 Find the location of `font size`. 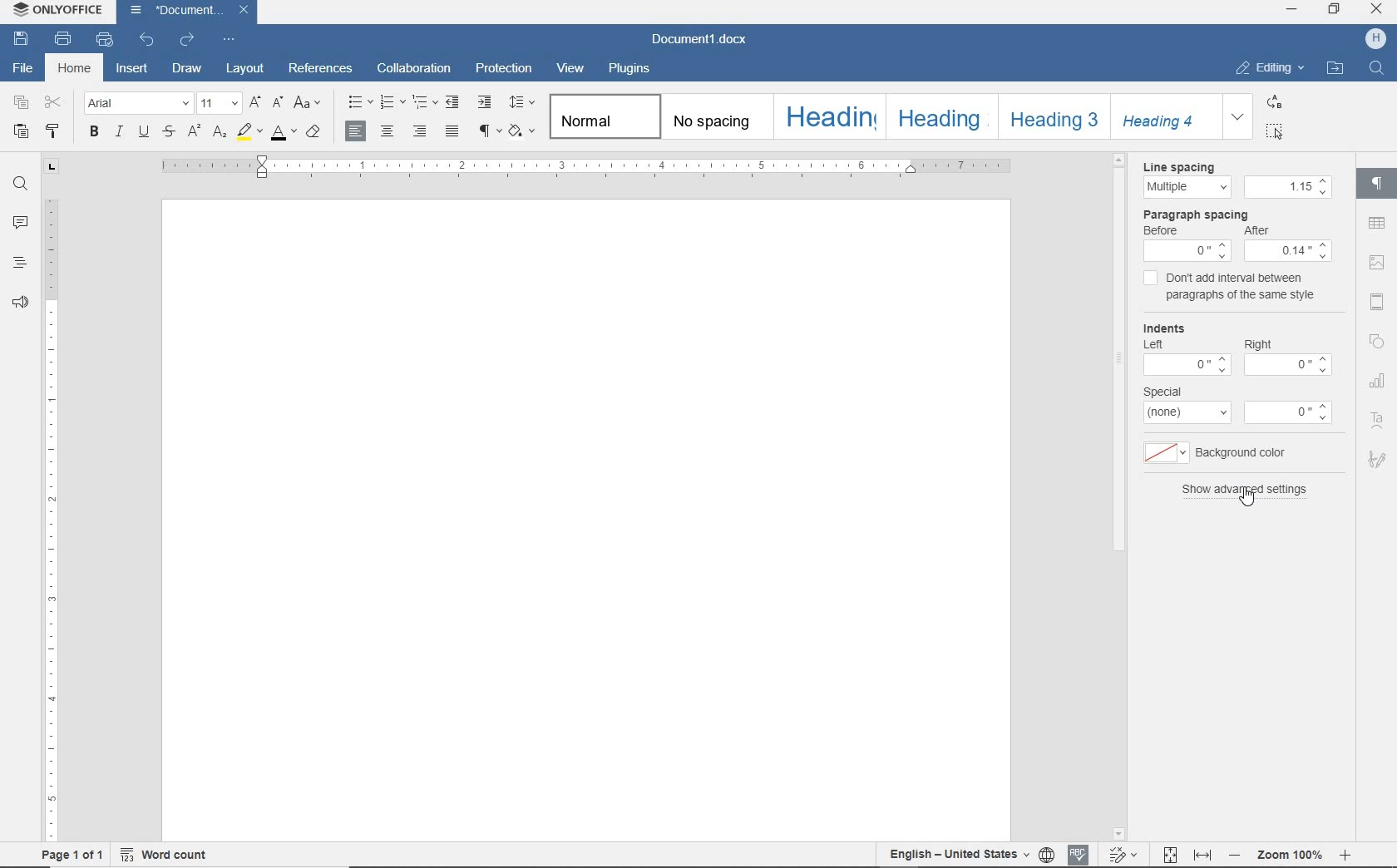

font size is located at coordinates (219, 105).